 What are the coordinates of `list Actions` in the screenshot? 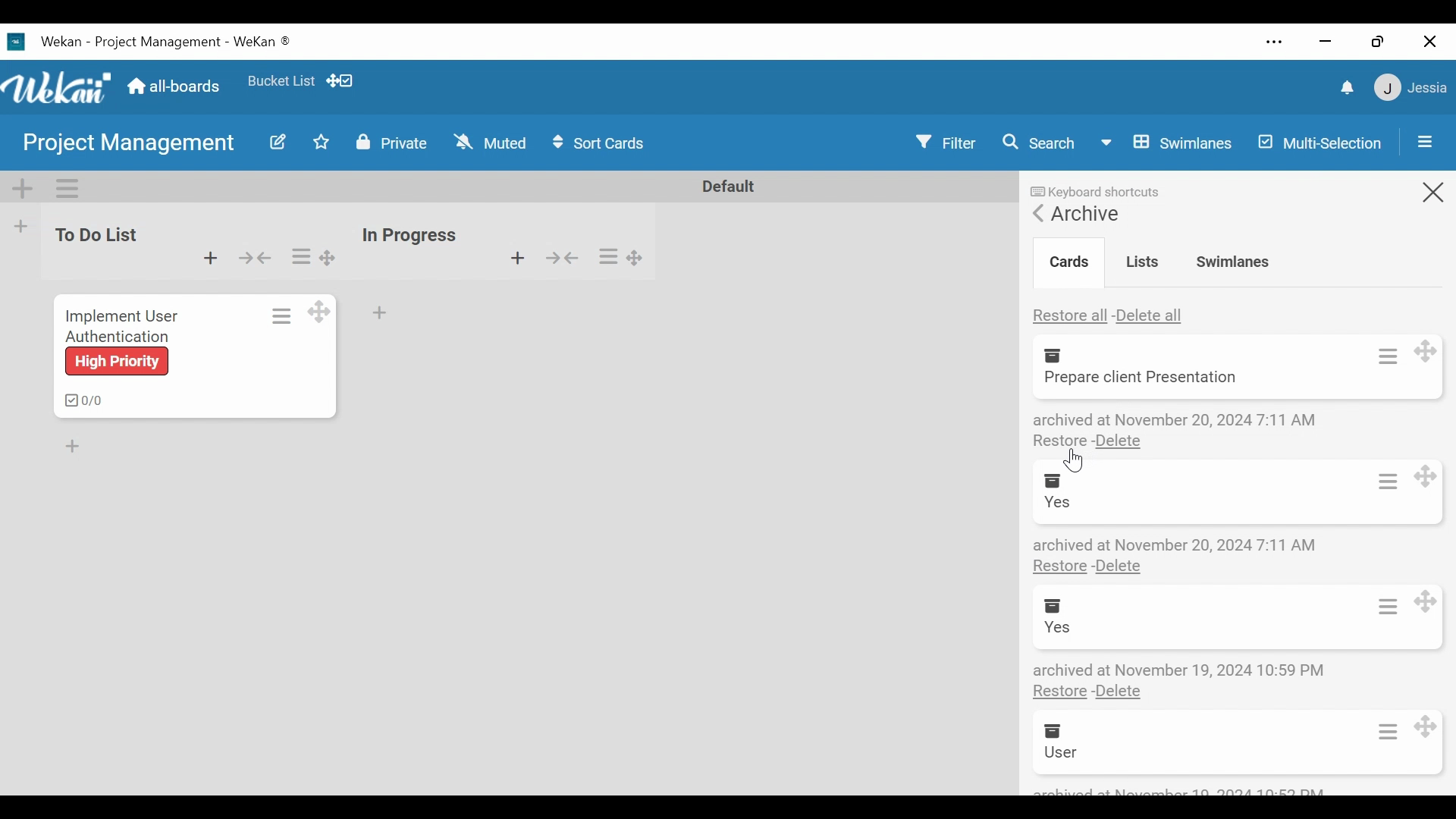 It's located at (300, 257).